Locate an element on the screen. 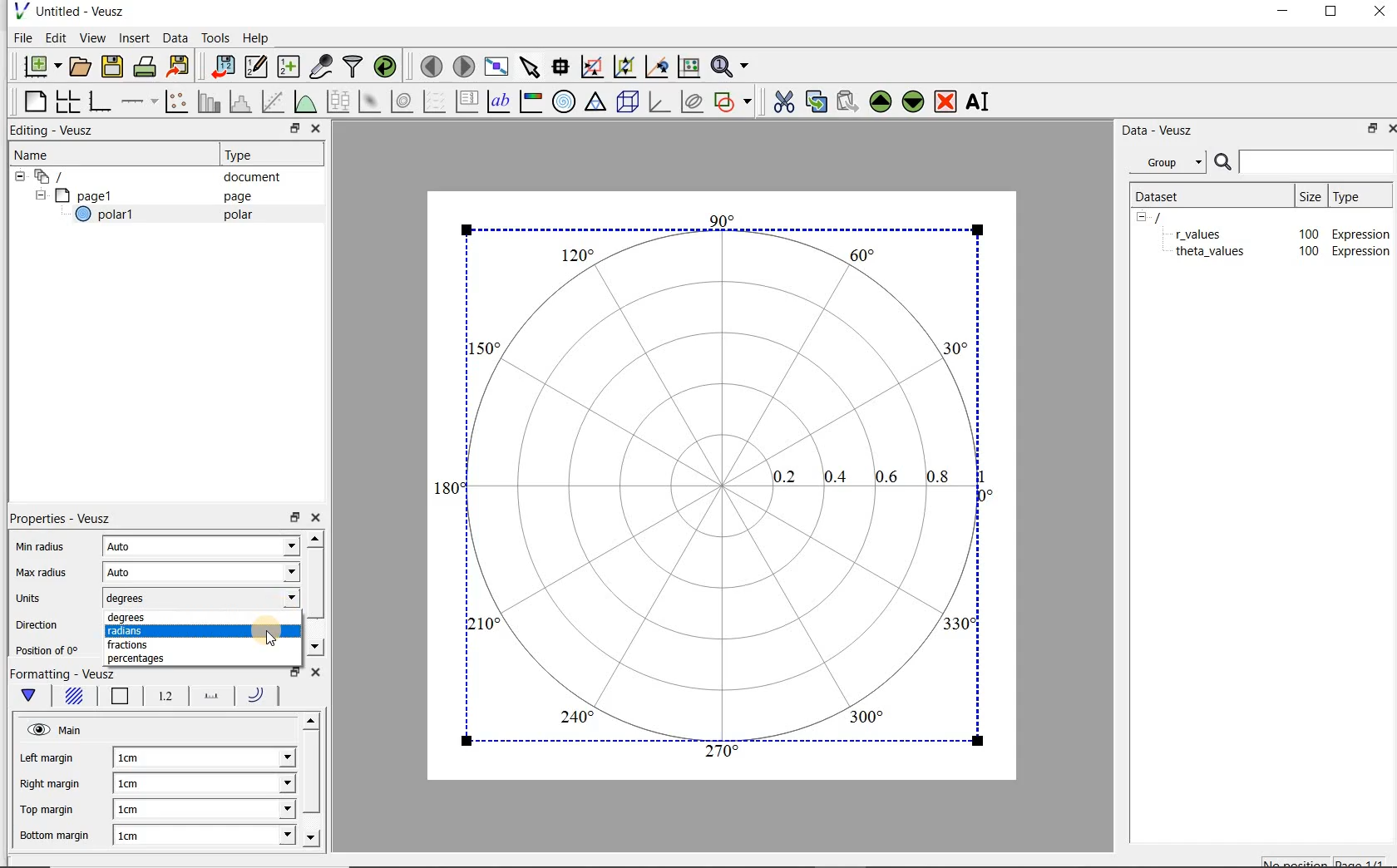  File is located at coordinates (20, 38).